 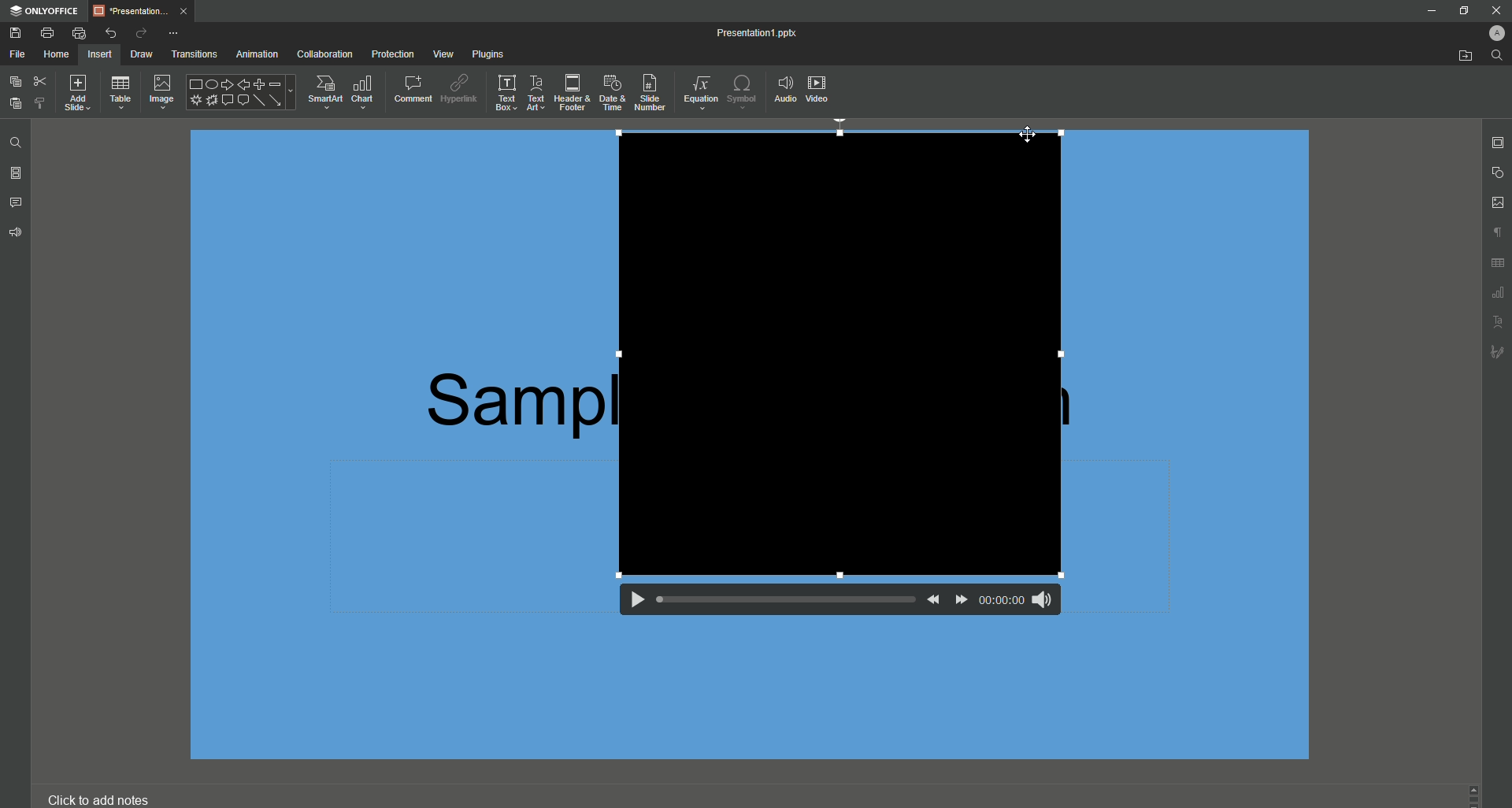 What do you see at coordinates (1499, 143) in the screenshot?
I see `Slide Settings` at bounding box center [1499, 143].